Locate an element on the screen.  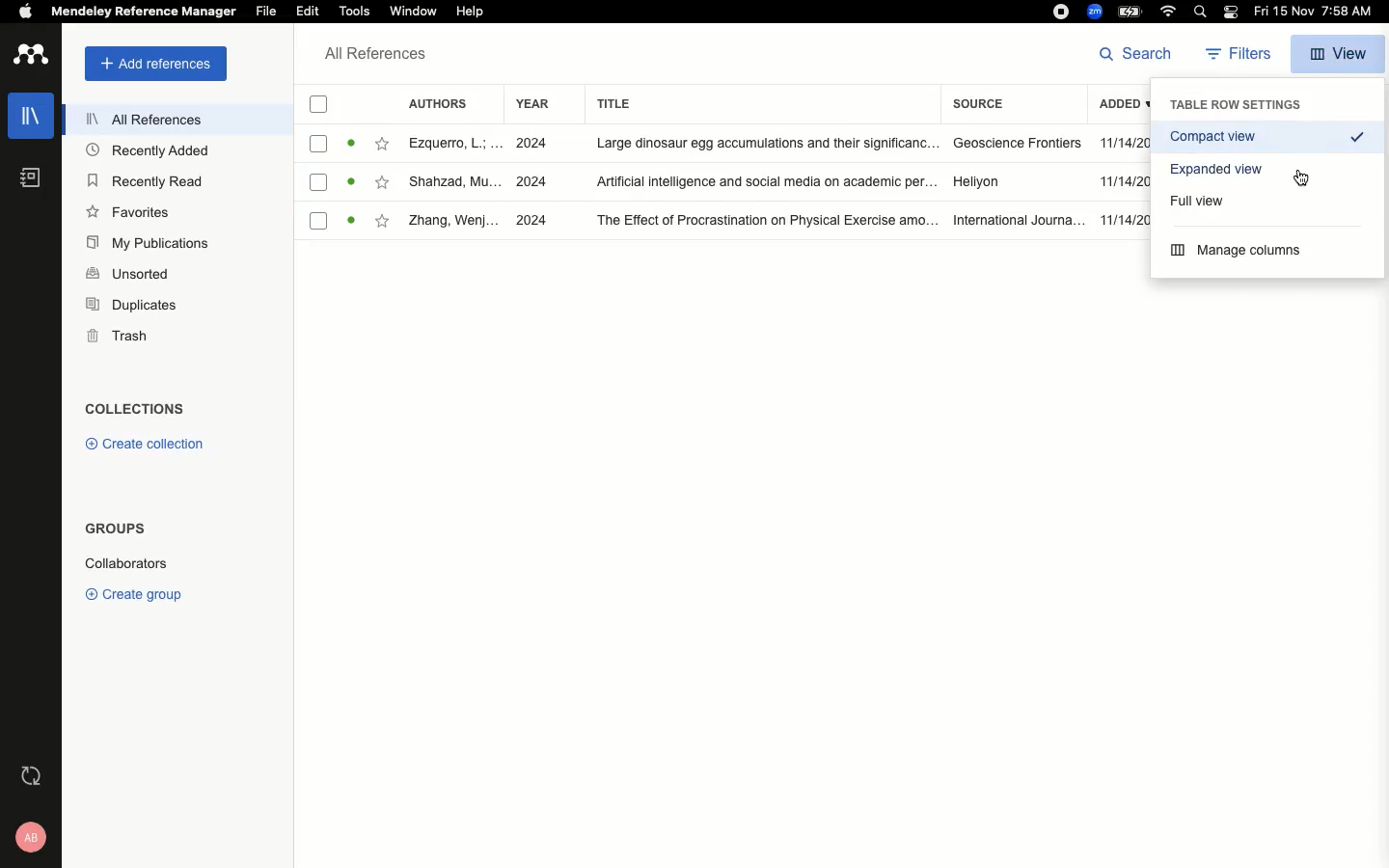
Create group is located at coordinates (133, 591).